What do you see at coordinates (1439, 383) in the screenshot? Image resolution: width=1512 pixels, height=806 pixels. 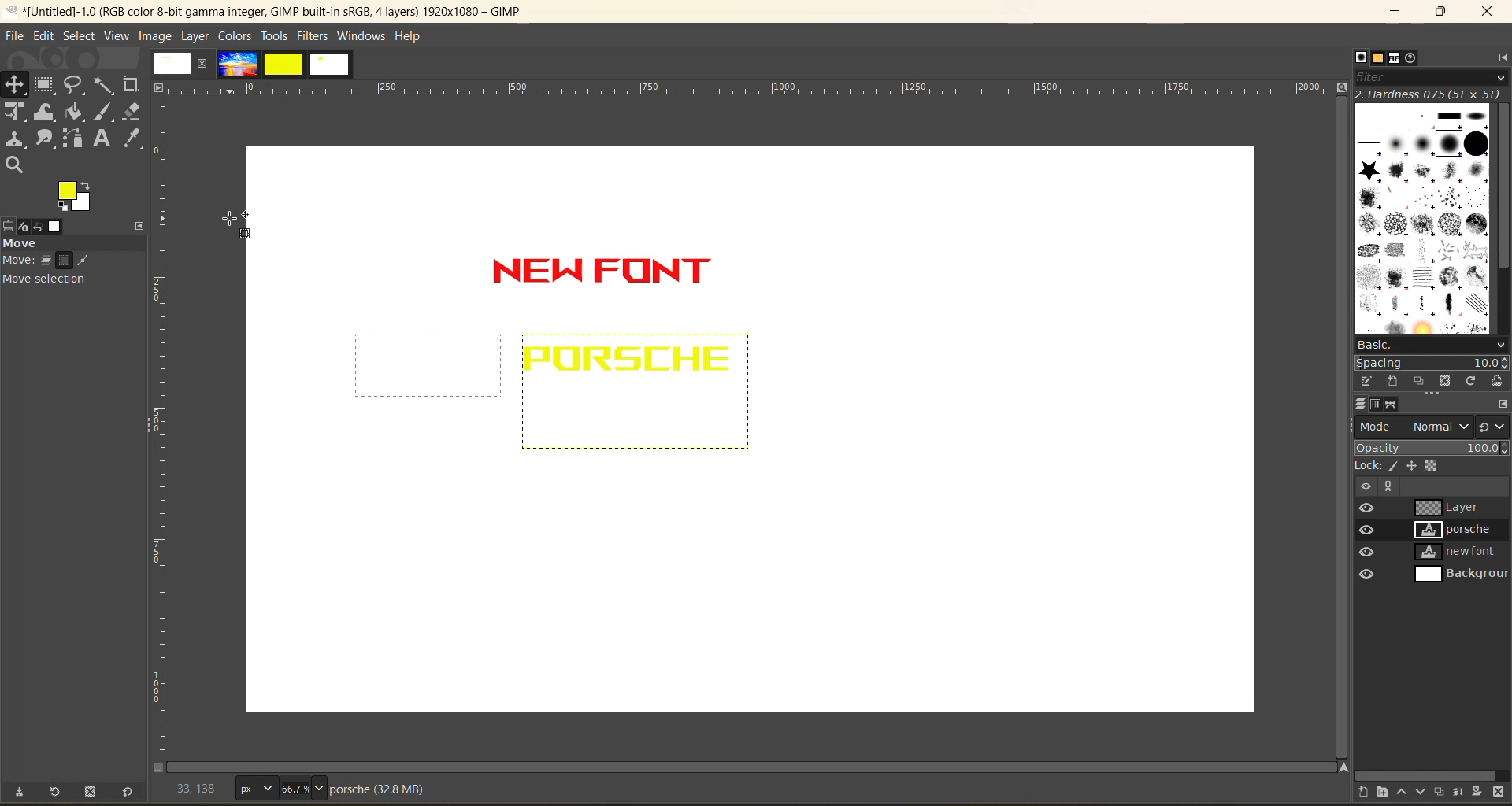 I see `delete this brush` at bounding box center [1439, 383].